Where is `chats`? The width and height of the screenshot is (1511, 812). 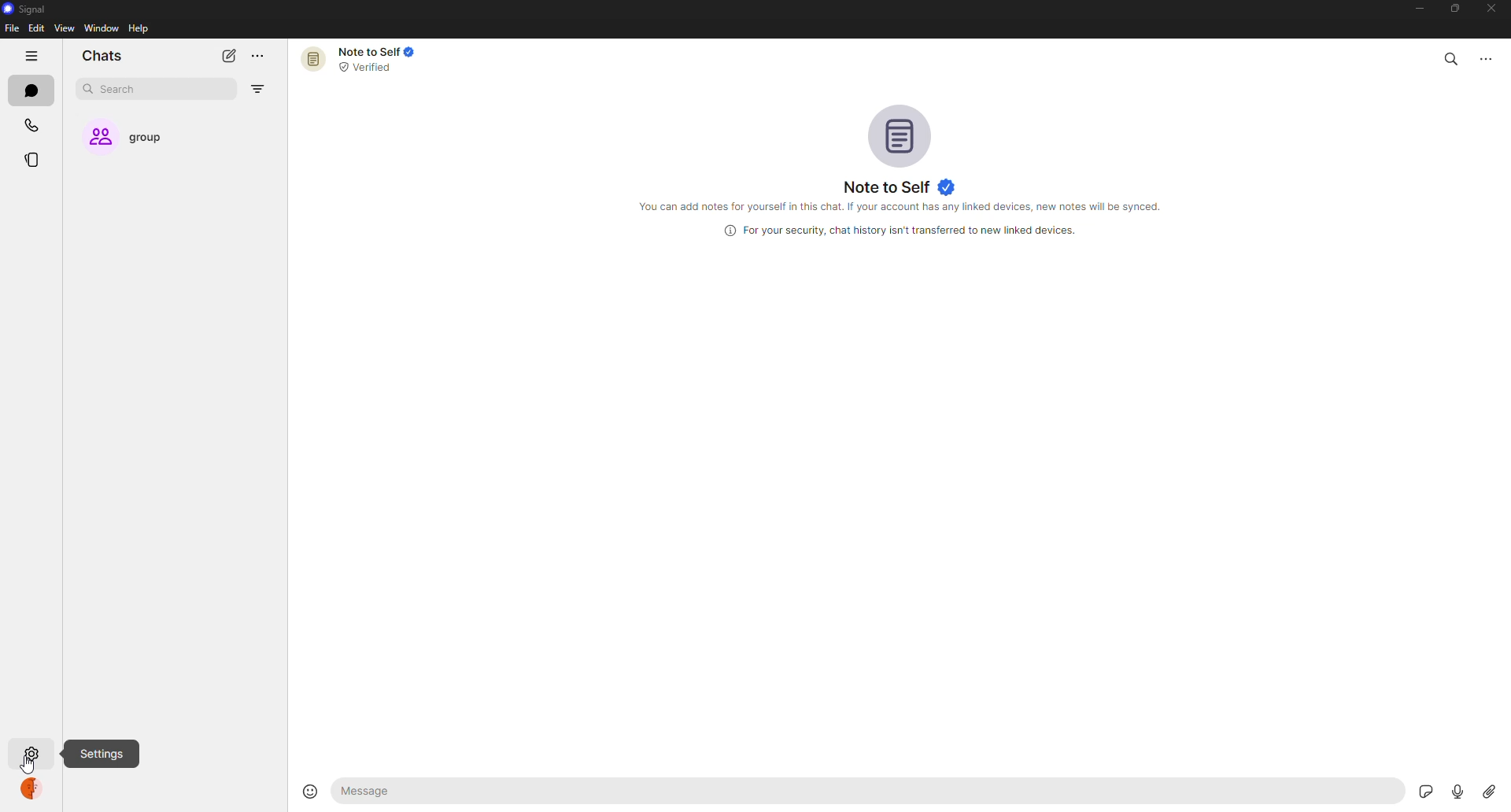 chats is located at coordinates (102, 57).